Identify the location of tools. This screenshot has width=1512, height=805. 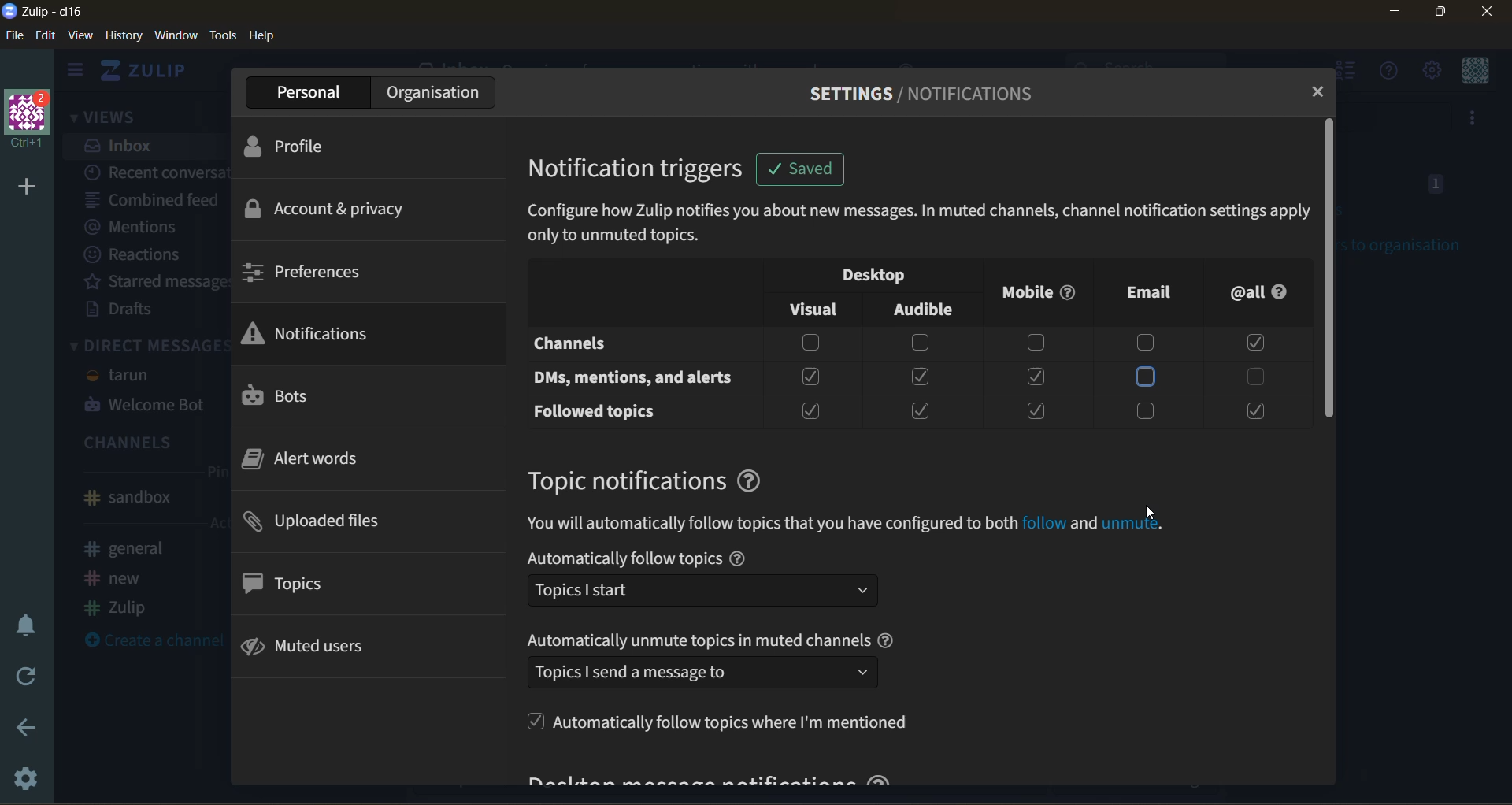
(224, 38).